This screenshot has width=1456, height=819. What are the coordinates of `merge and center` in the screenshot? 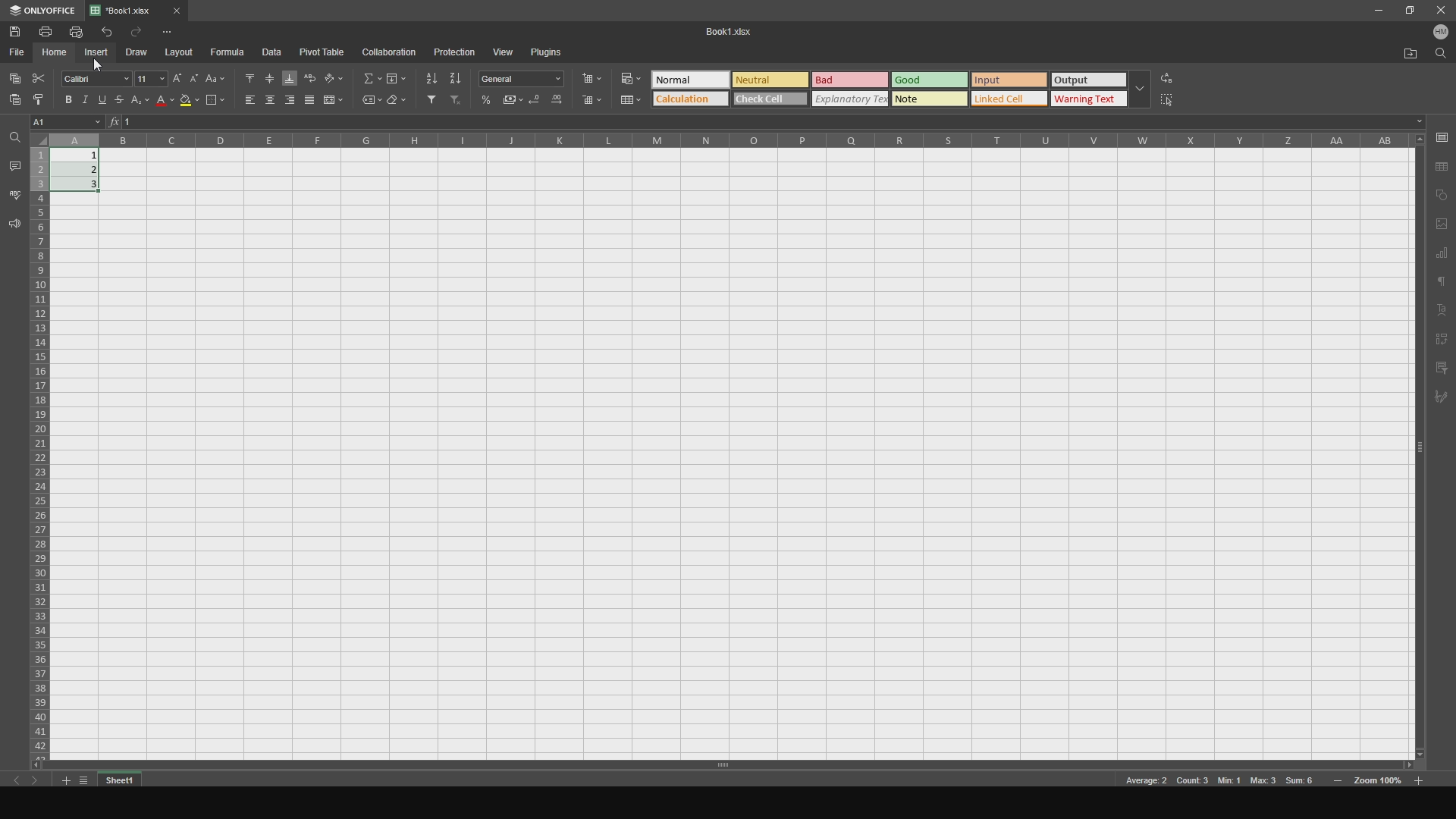 It's located at (336, 100).